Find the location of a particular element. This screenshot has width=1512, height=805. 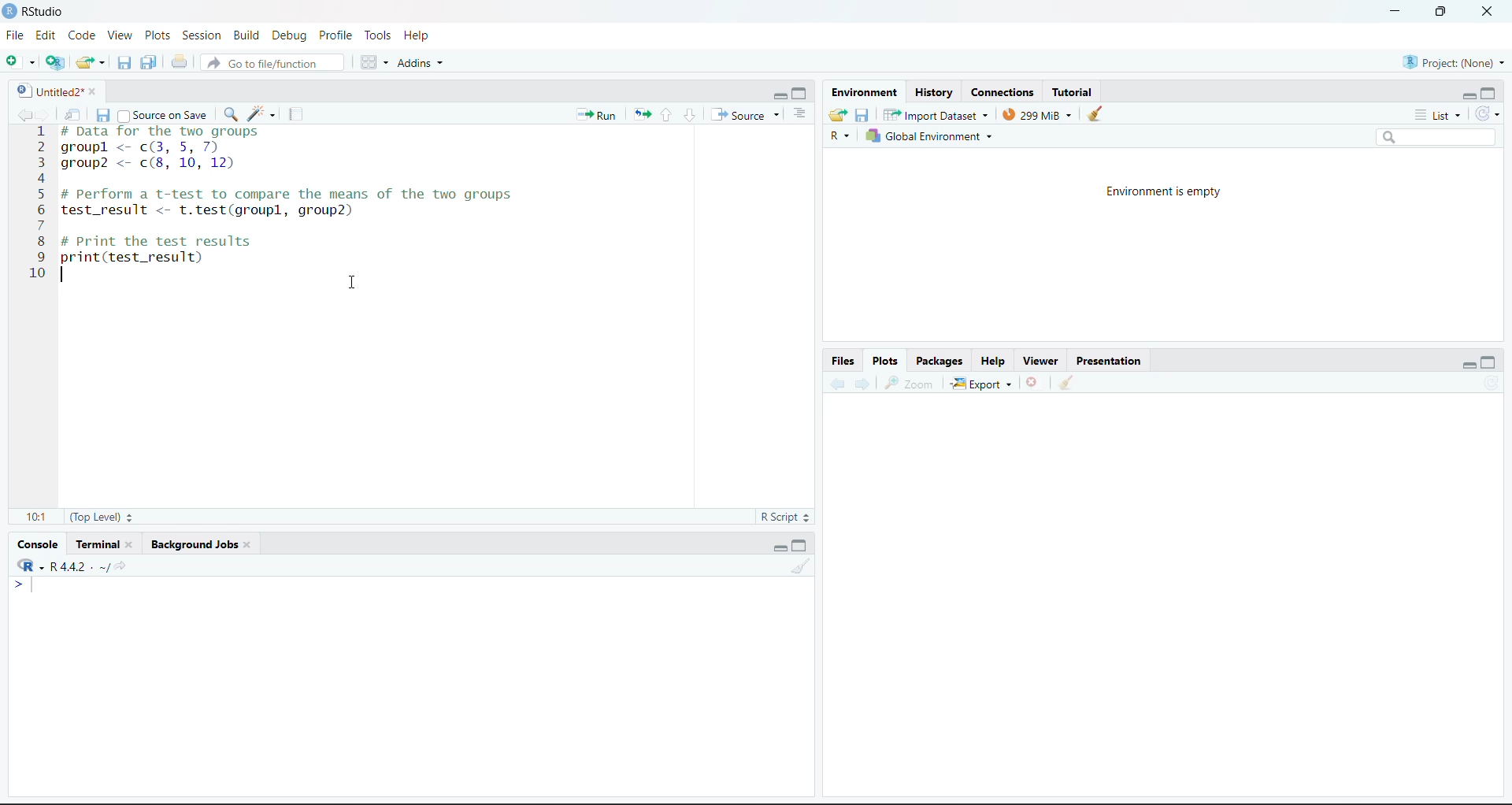

go to previous section/chunk is located at coordinates (665, 116).